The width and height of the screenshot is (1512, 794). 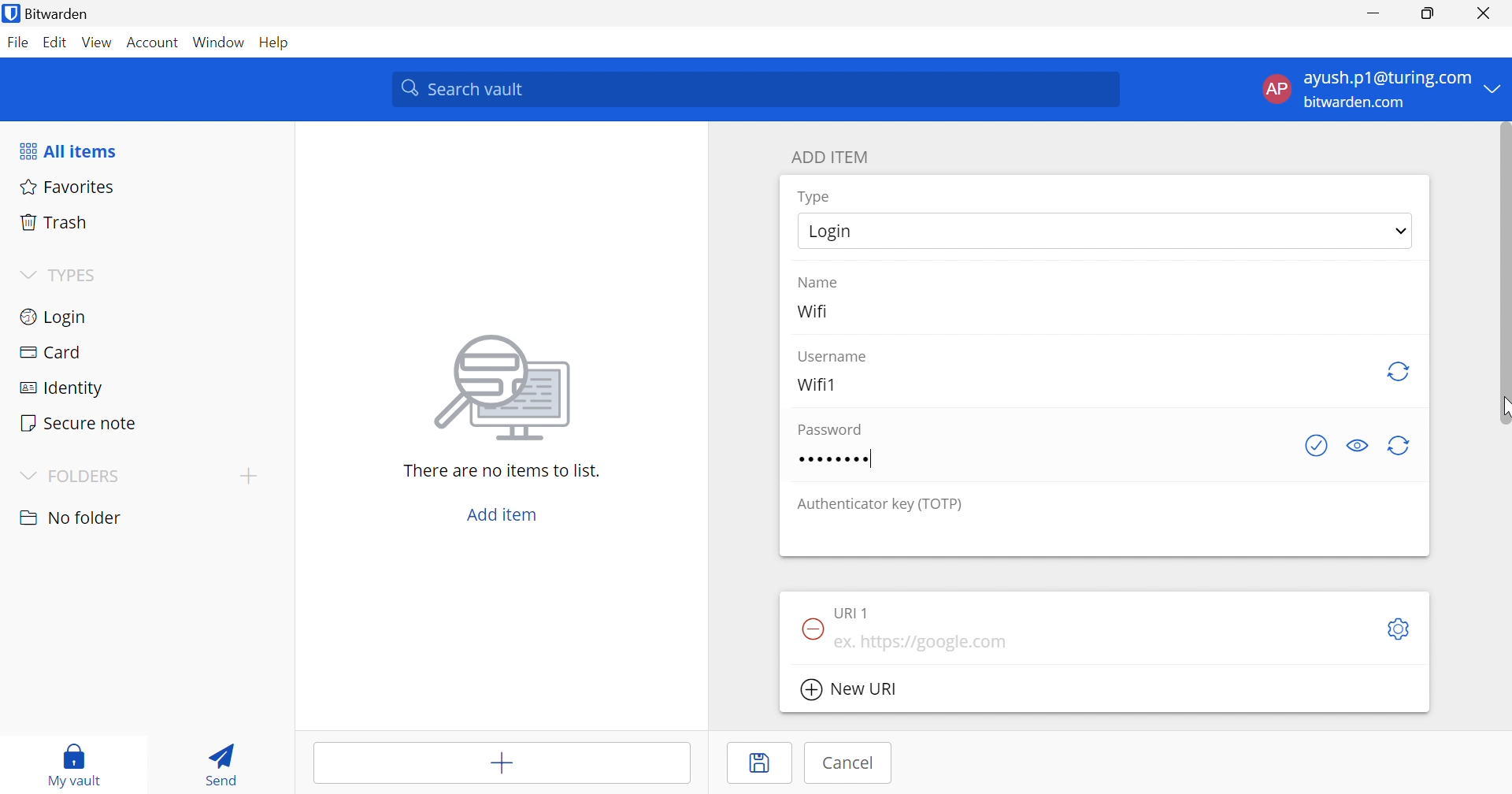 What do you see at coordinates (55, 315) in the screenshot?
I see `Login` at bounding box center [55, 315].